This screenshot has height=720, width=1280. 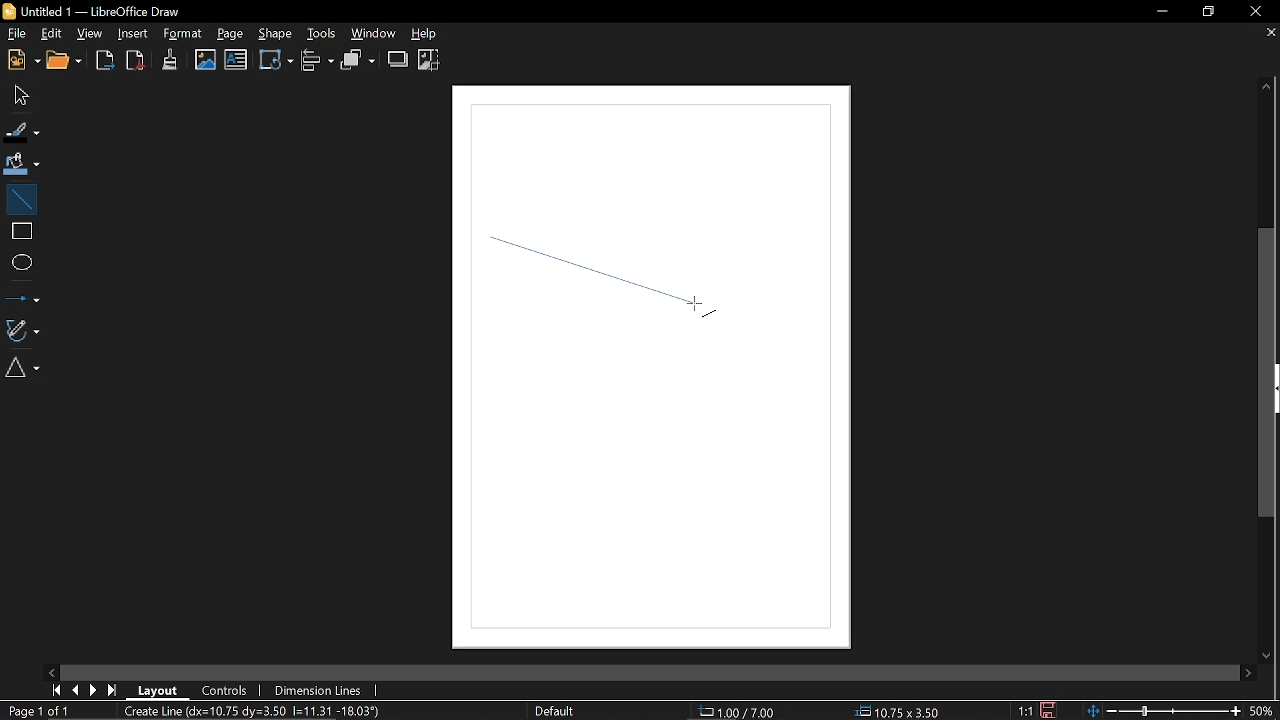 I want to click on File, so click(x=16, y=33).